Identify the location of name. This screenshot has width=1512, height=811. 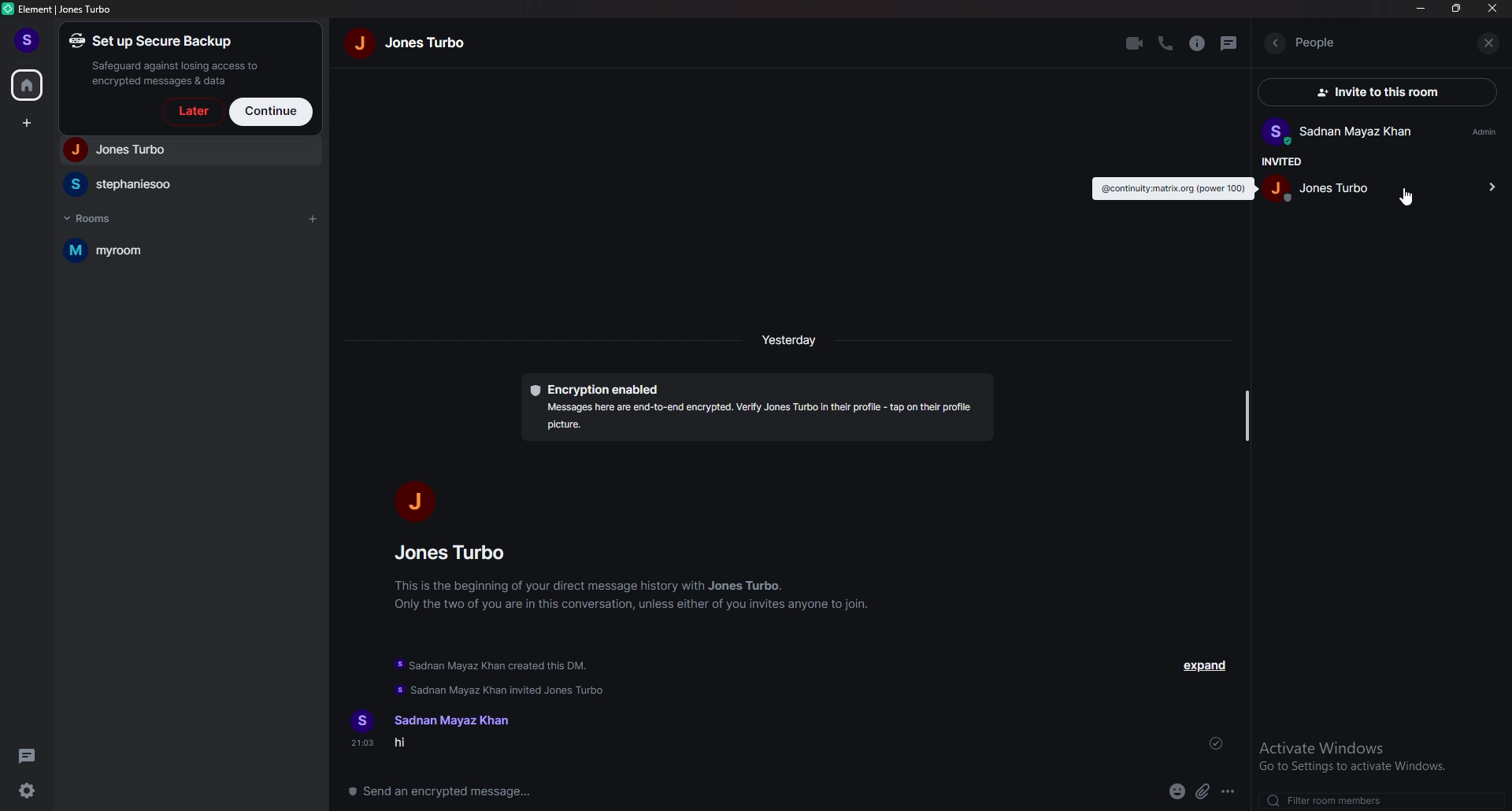
(409, 42).